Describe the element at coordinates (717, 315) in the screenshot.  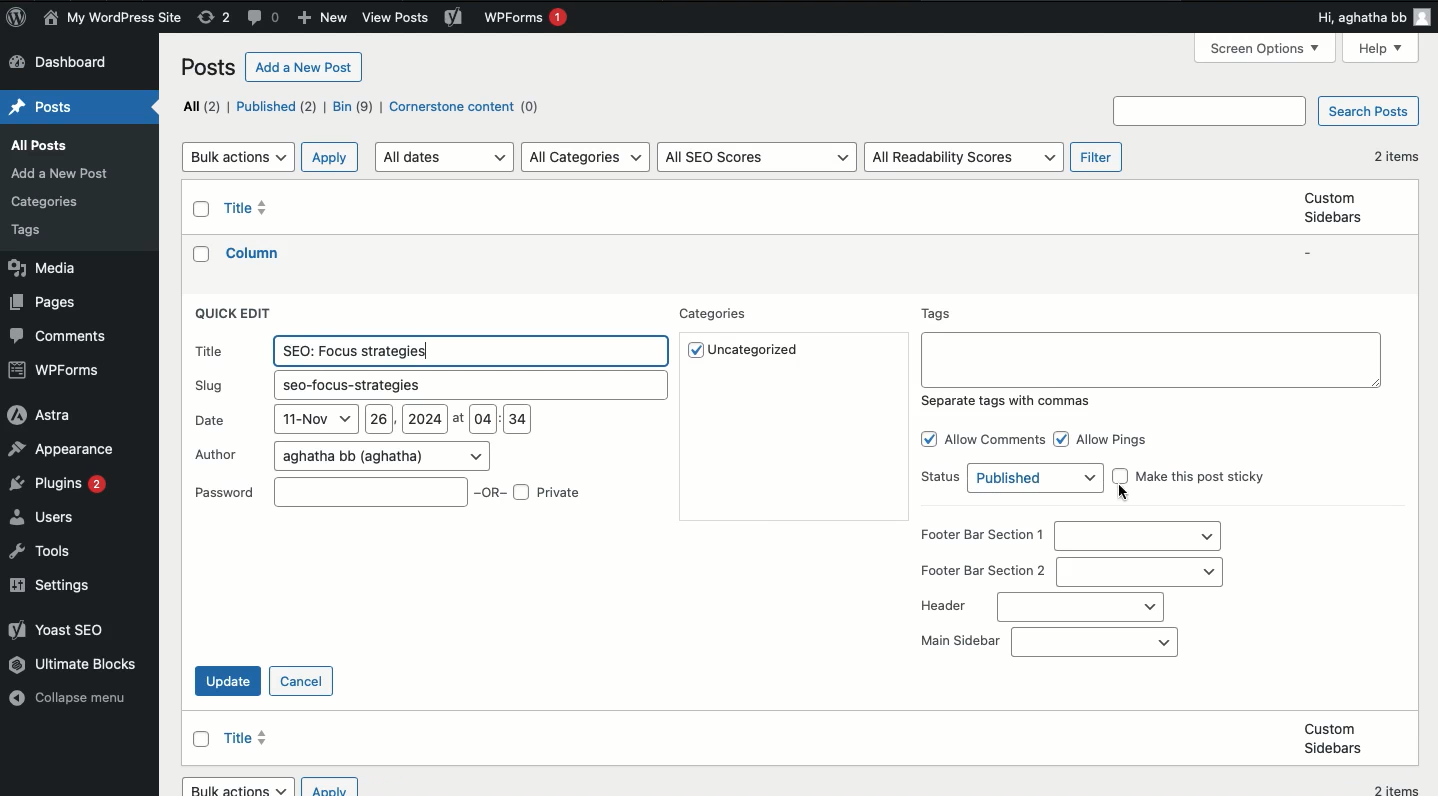
I see `Categories` at that location.